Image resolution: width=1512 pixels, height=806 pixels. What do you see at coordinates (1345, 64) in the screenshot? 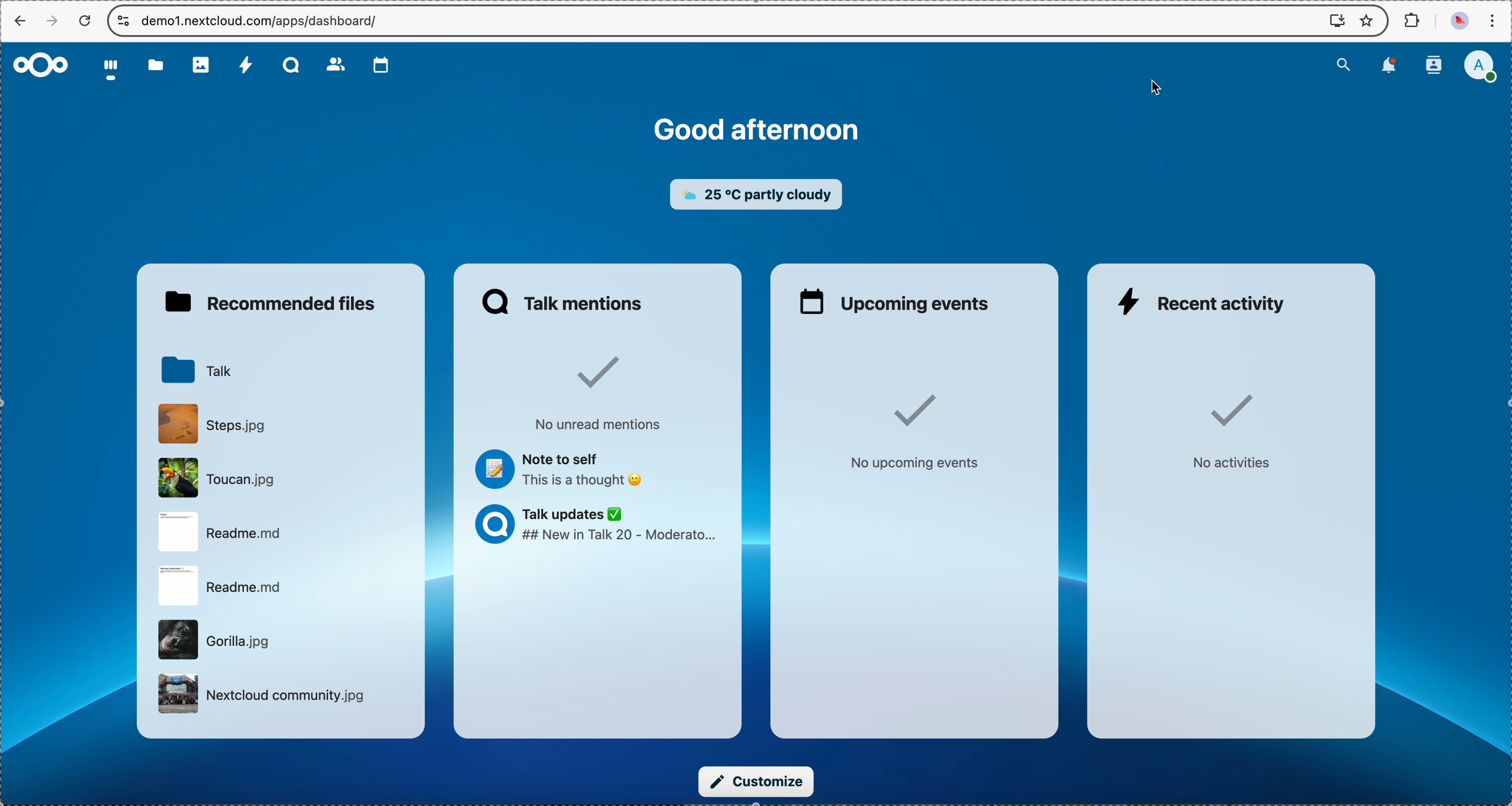
I see `search` at bounding box center [1345, 64].